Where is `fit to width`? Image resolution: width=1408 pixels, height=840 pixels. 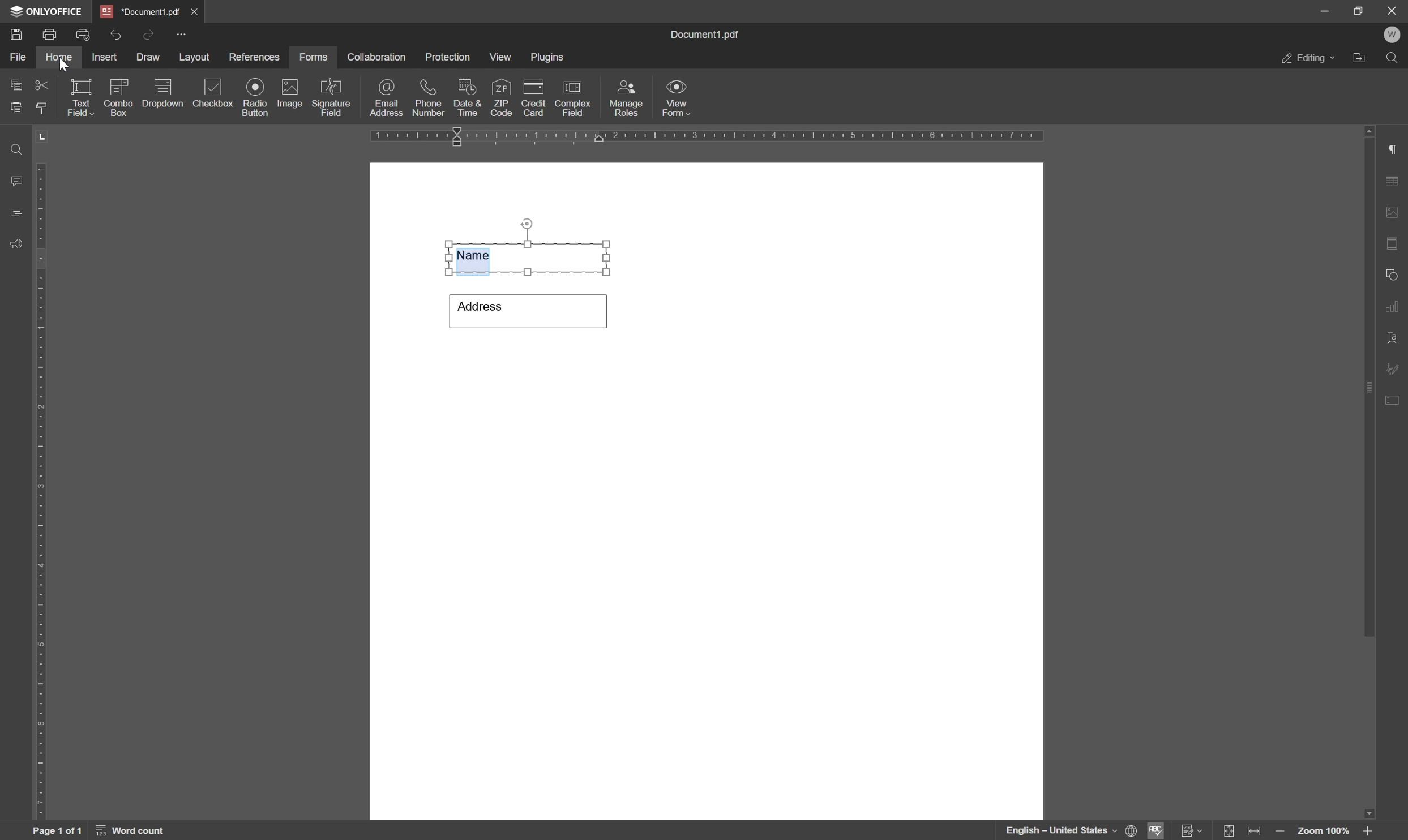
fit to width is located at coordinates (1257, 832).